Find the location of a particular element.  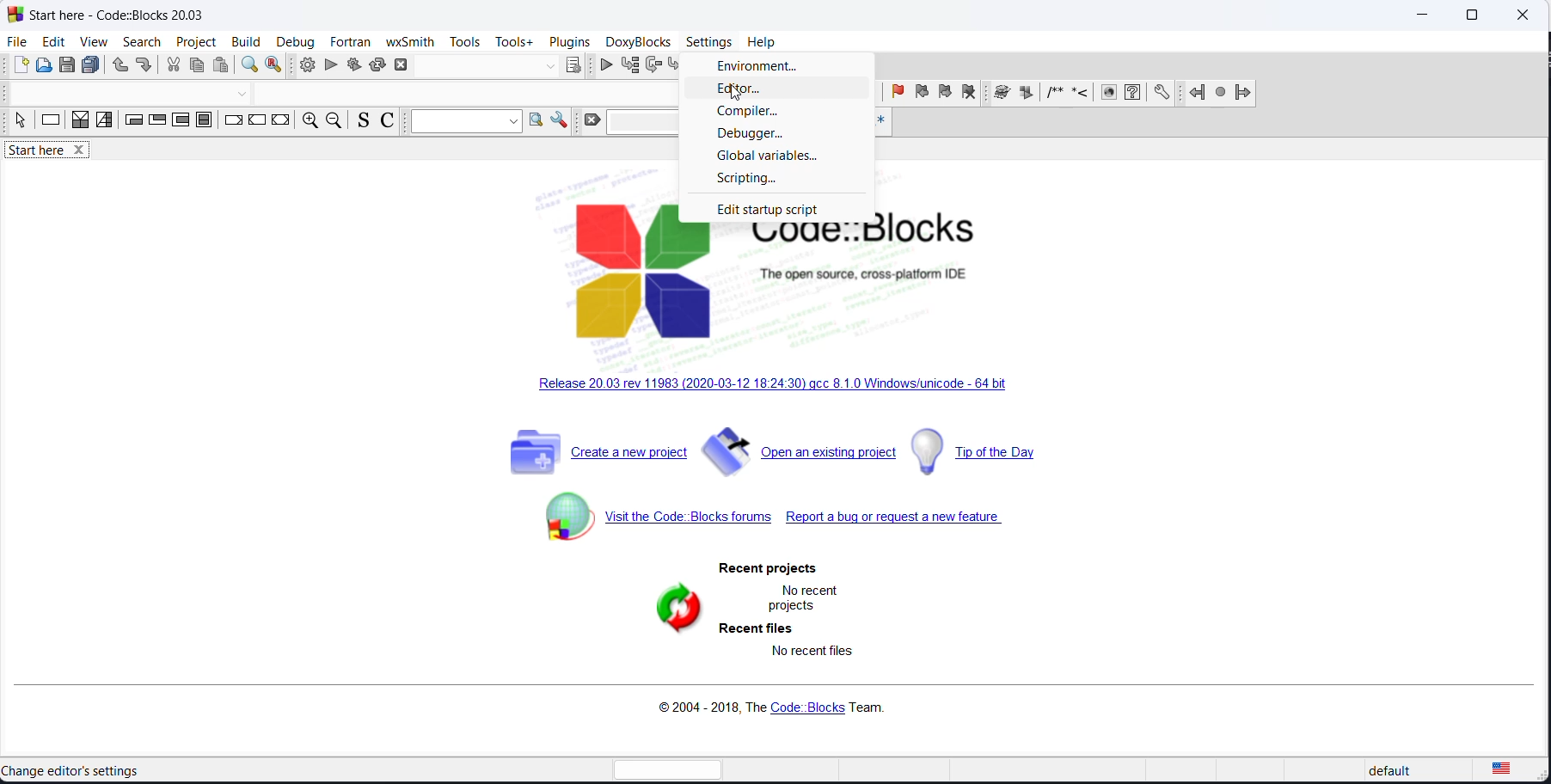

save  is located at coordinates (69, 65).